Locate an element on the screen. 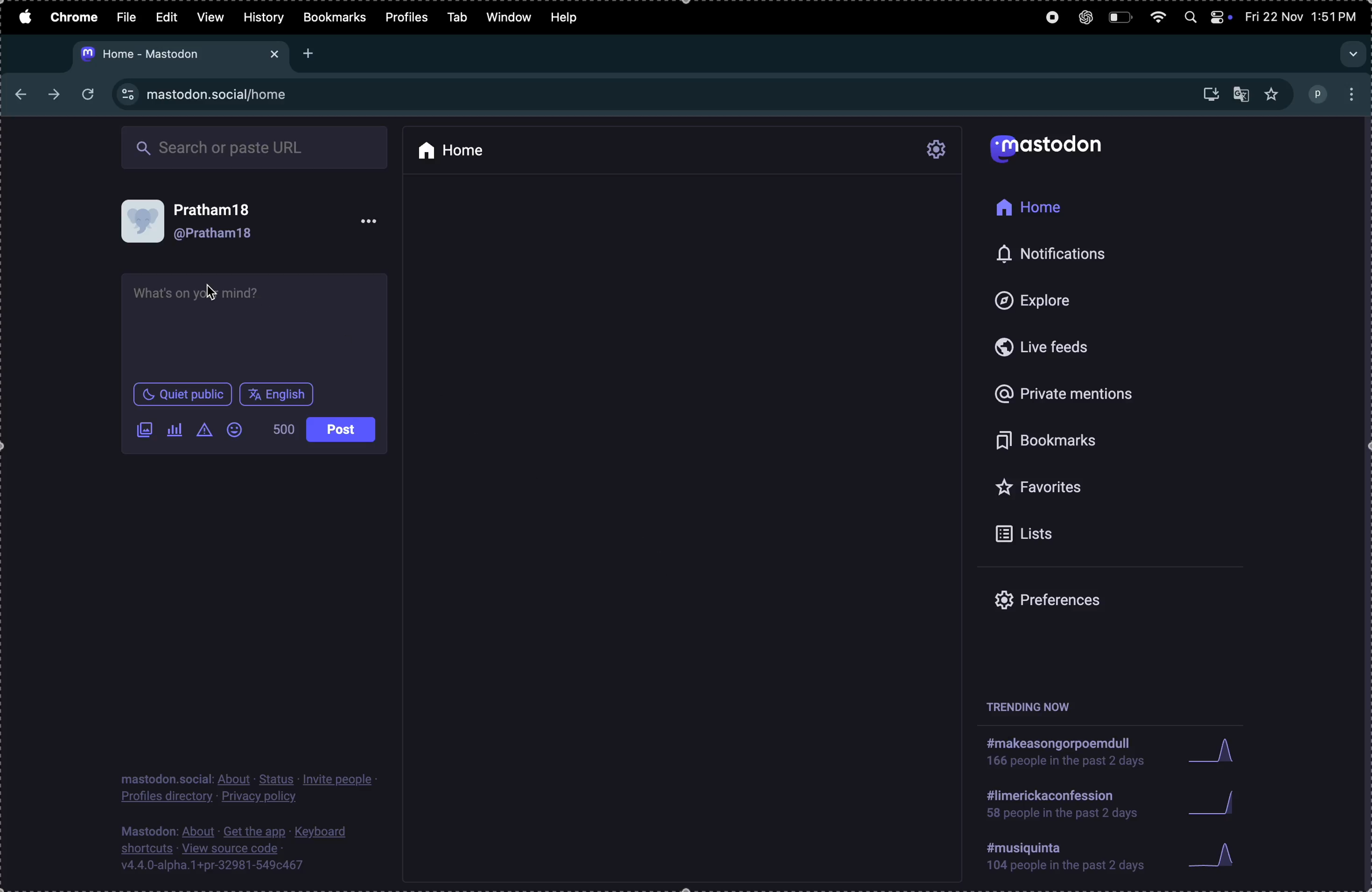 The width and height of the screenshot is (1372, 892). lists is located at coordinates (1071, 535).